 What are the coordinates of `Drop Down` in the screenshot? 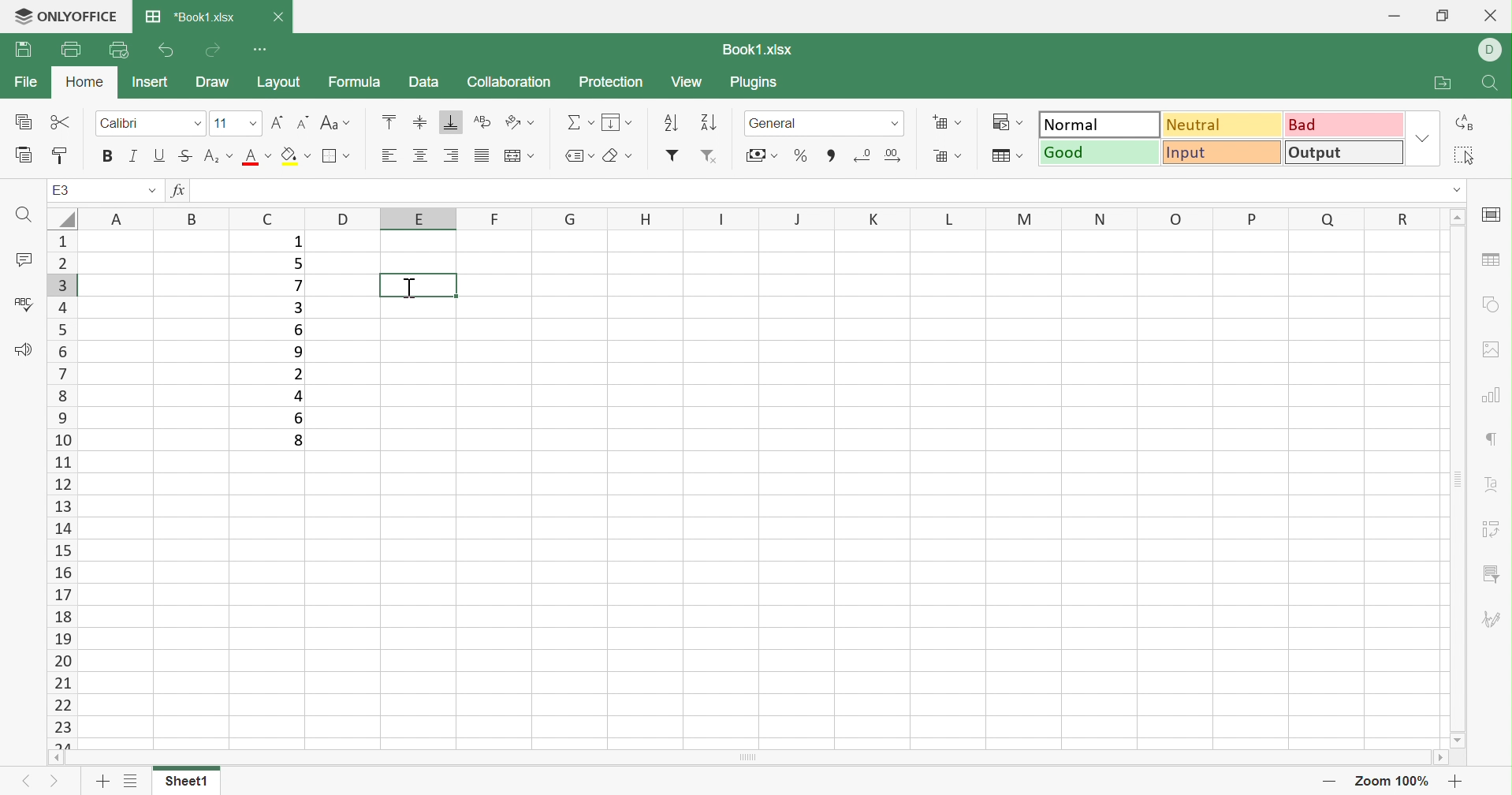 It's located at (895, 123).